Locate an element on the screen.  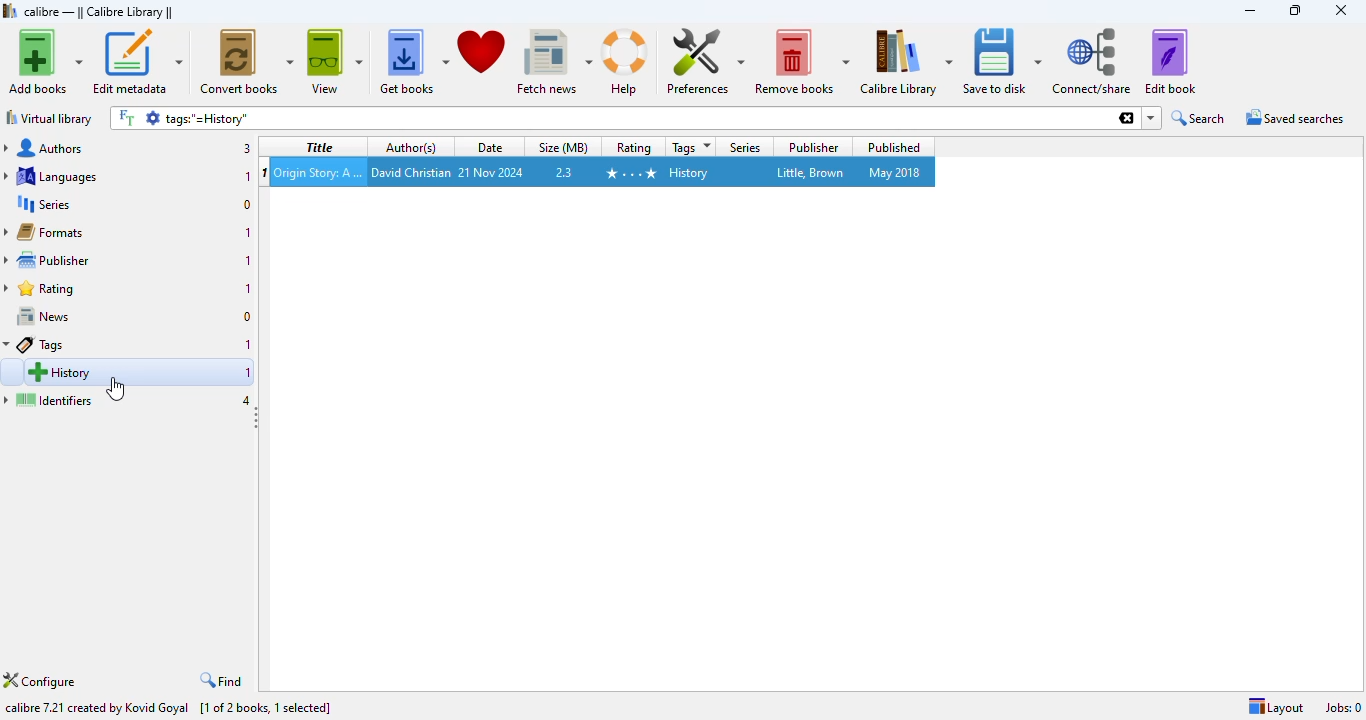
virtual library is located at coordinates (49, 118).